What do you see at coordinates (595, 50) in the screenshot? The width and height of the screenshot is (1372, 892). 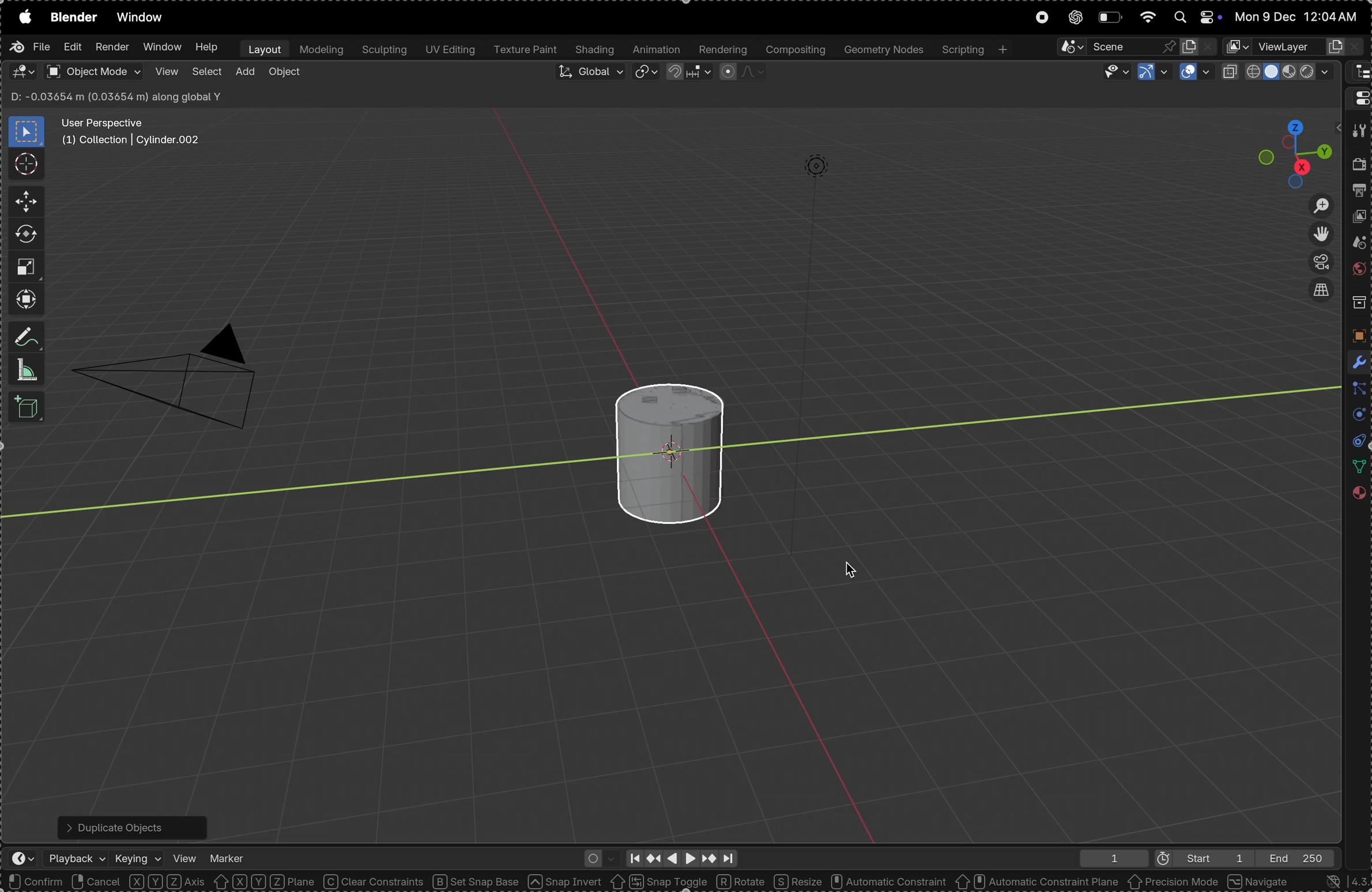 I see `shading` at bounding box center [595, 50].